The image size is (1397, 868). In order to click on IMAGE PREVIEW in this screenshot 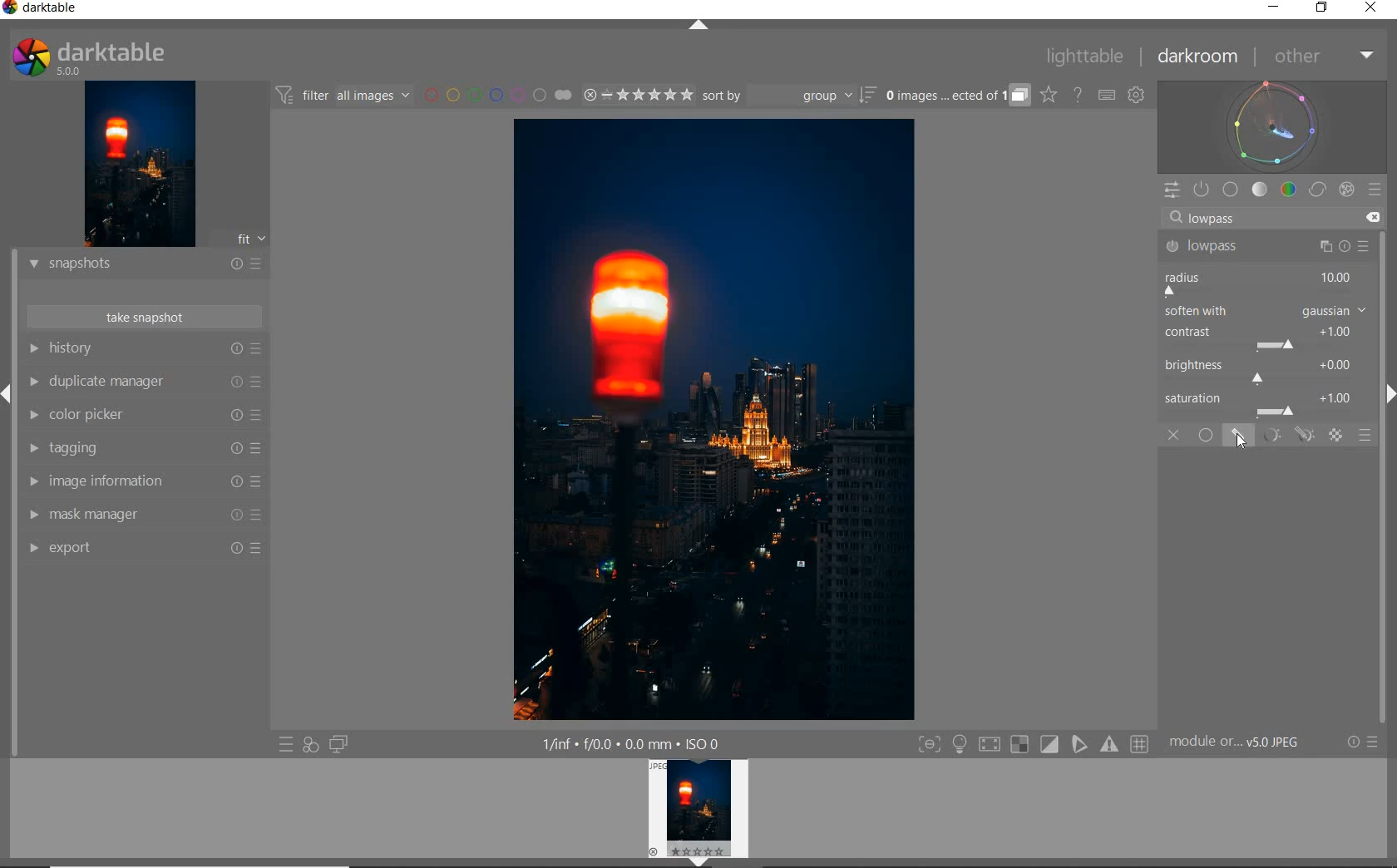, I will do `click(701, 813)`.